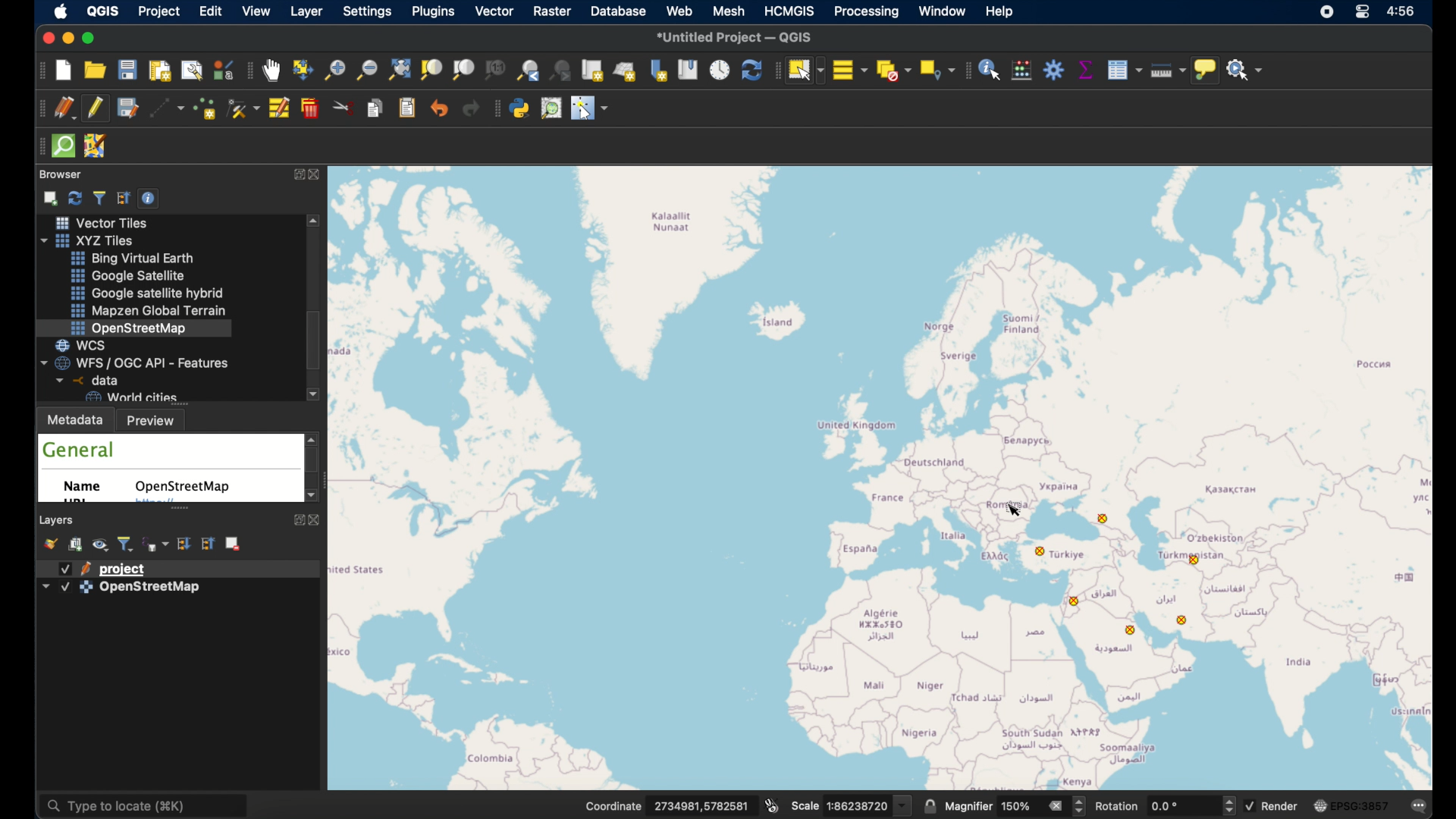 This screenshot has width=1456, height=819. Describe the element at coordinates (930, 805) in the screenshot. I see `lock scale` at that location.